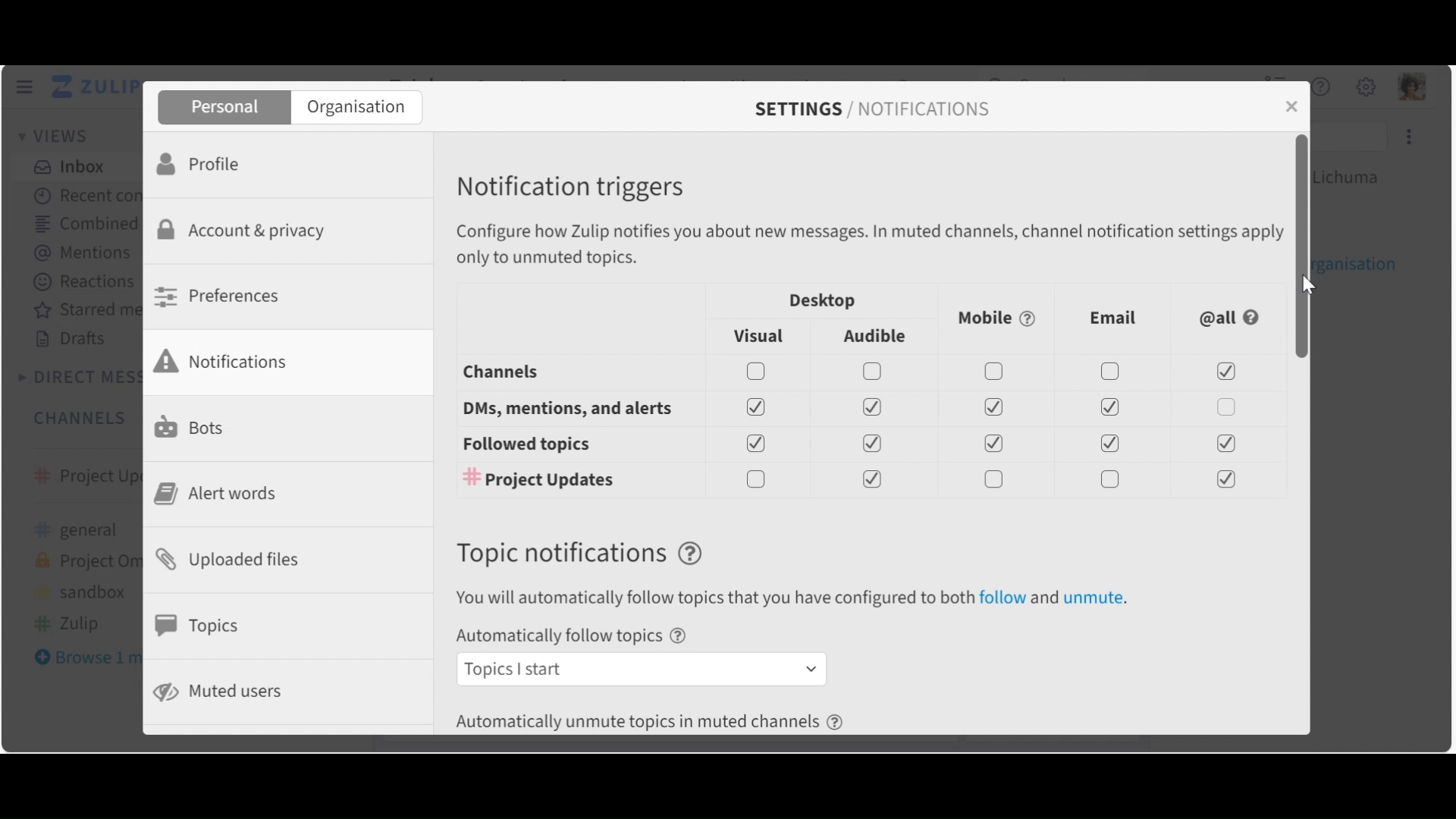 The width and height of the screenshot is (1456, 819). I want to click on text, so click(802, 600).